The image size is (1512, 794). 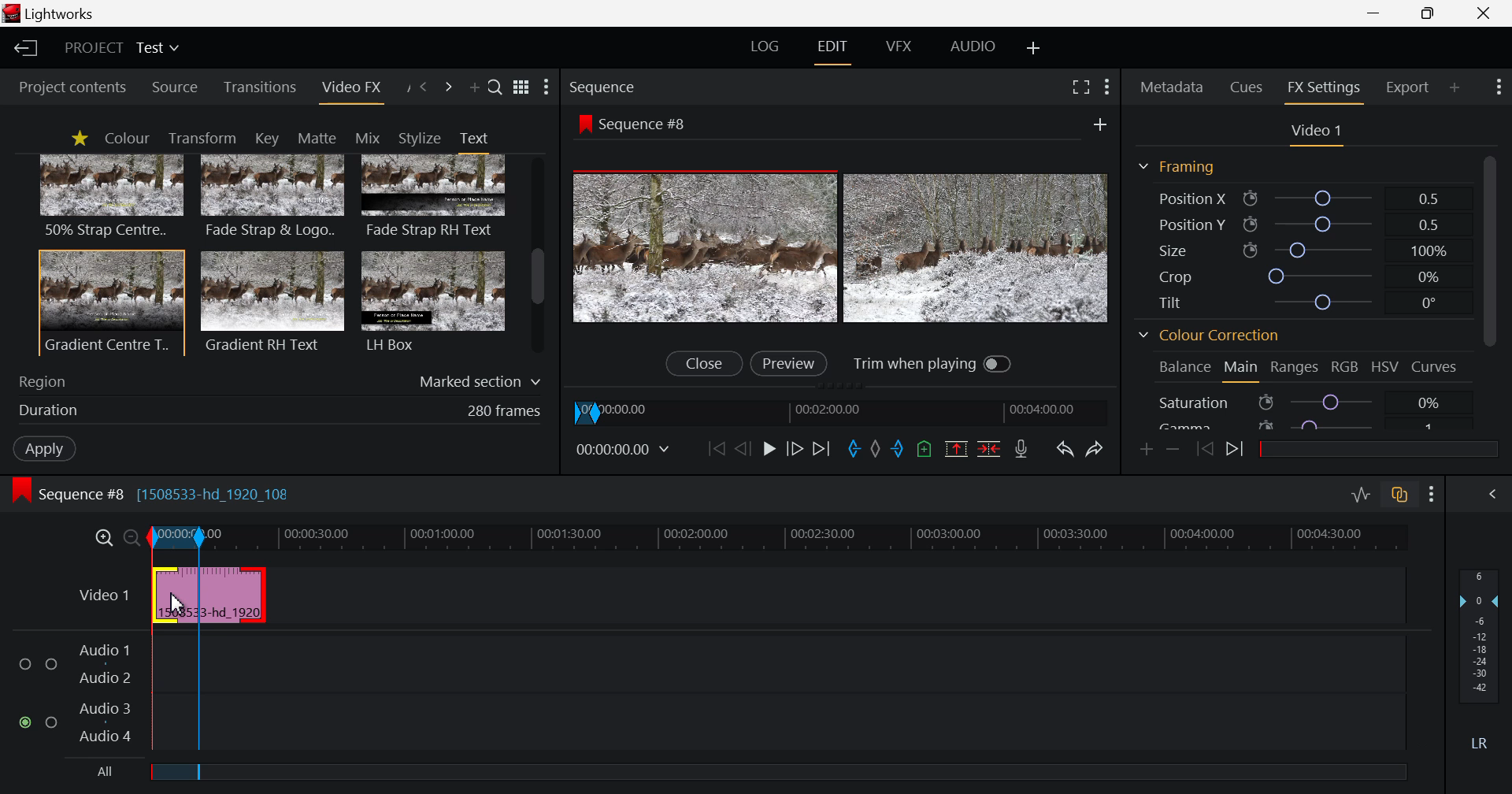 I want to click on Decibel Level, so click(x=1480, y=662).